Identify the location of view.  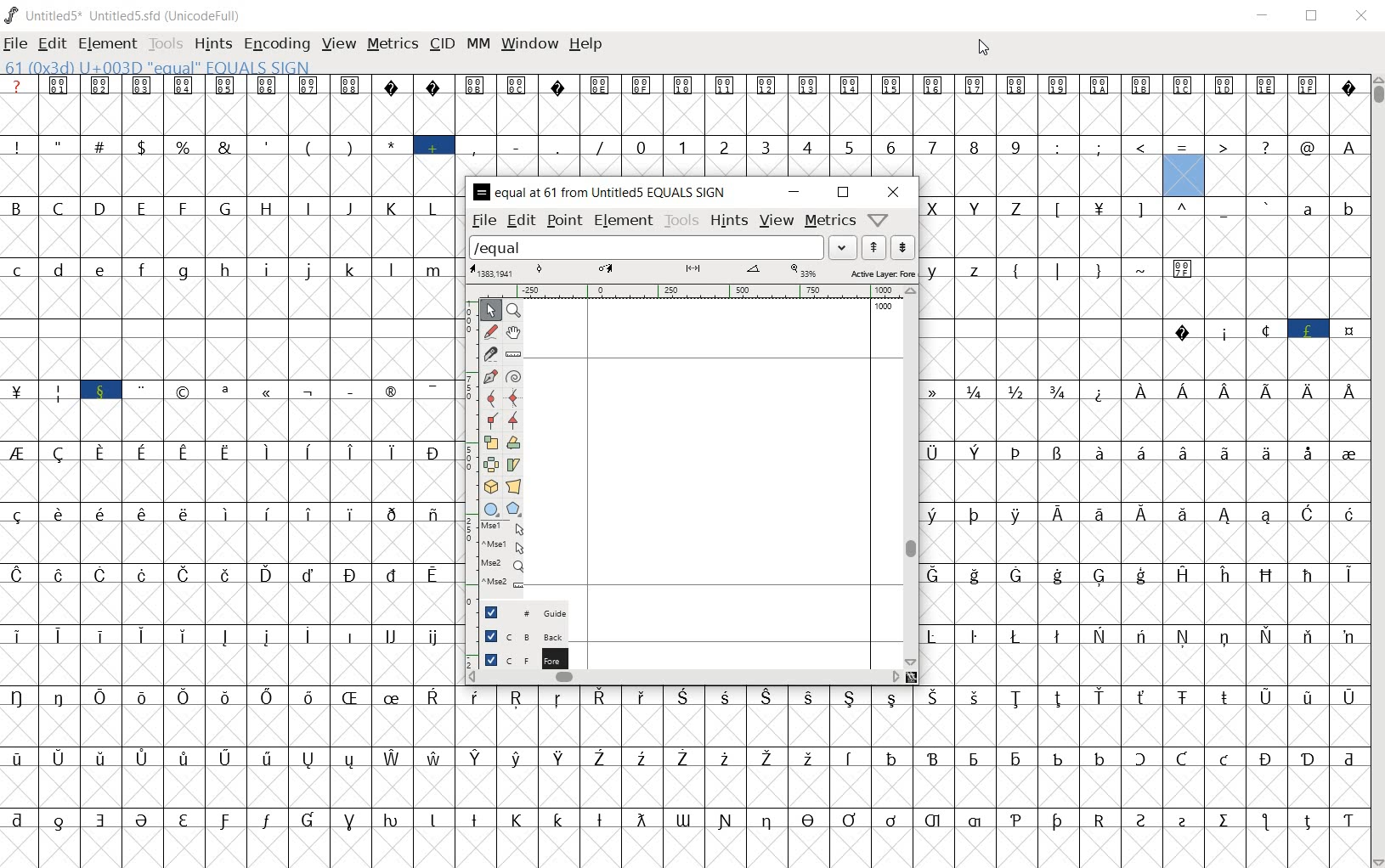
(337, 45).